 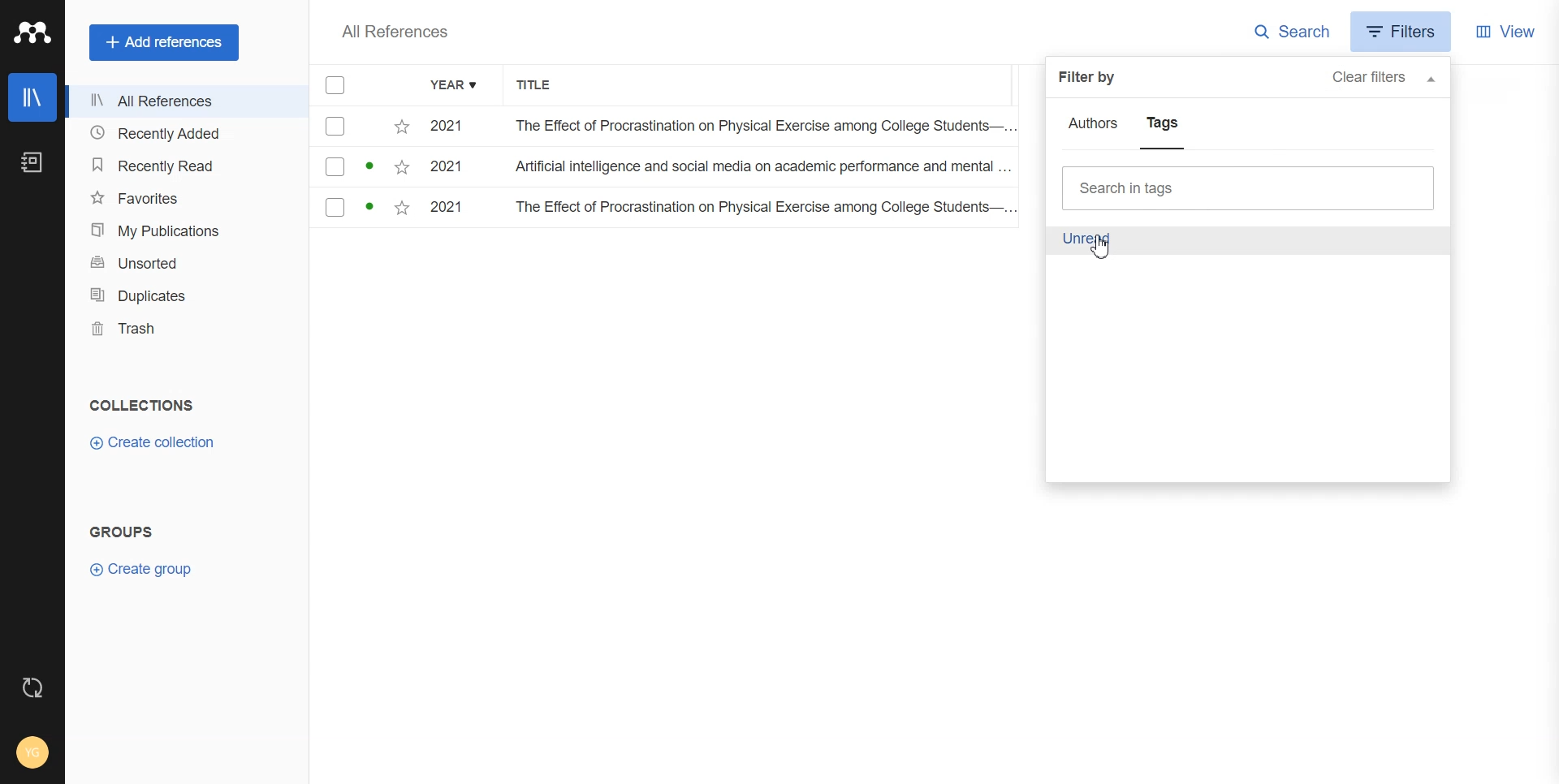 What do you see at coordinates (363, 168) in the screenshot?
I see `checkbox` at bounding box center [363, 168].